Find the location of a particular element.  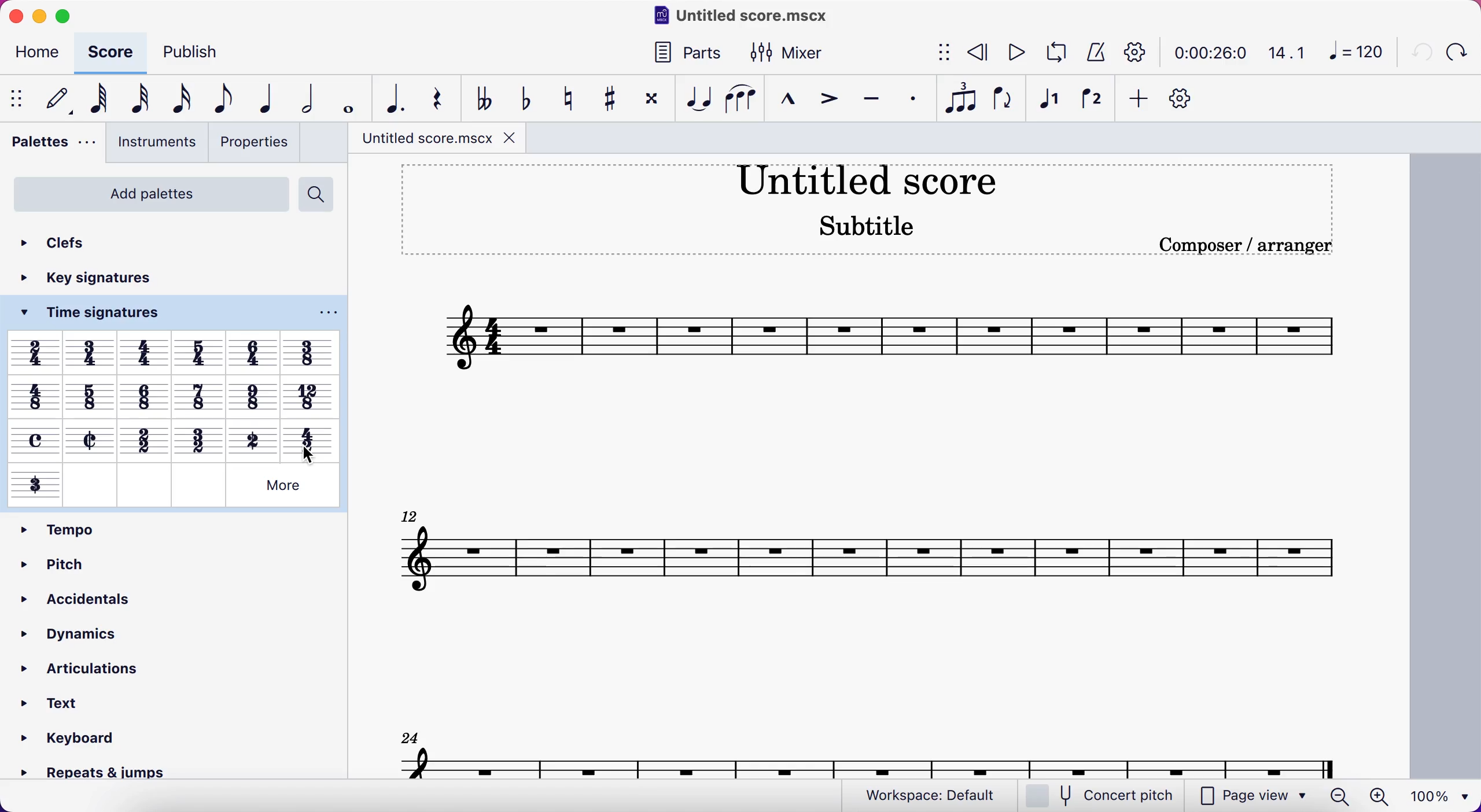

 is located at coordinates (252, 393).